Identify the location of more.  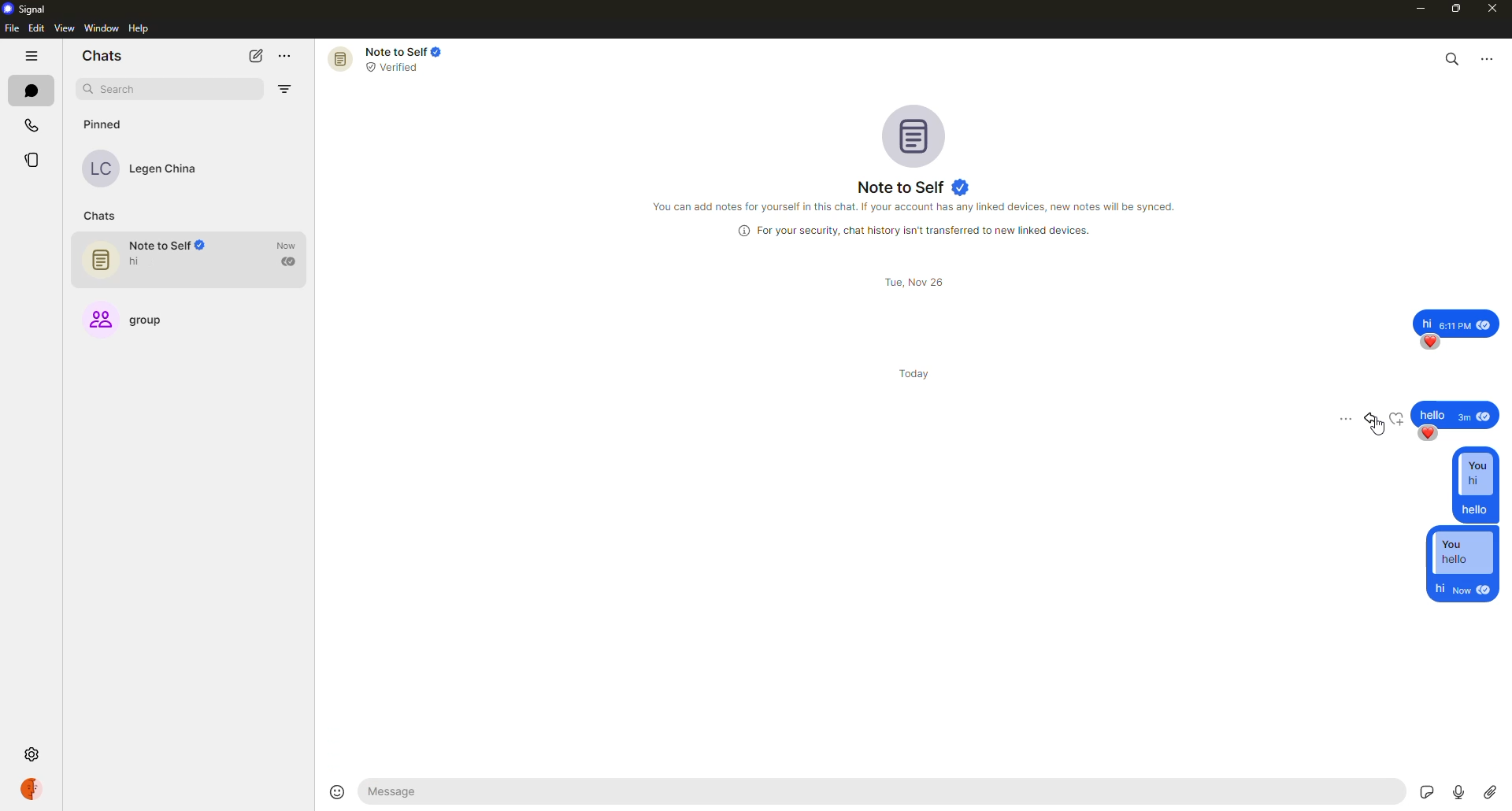
(1488, 58).